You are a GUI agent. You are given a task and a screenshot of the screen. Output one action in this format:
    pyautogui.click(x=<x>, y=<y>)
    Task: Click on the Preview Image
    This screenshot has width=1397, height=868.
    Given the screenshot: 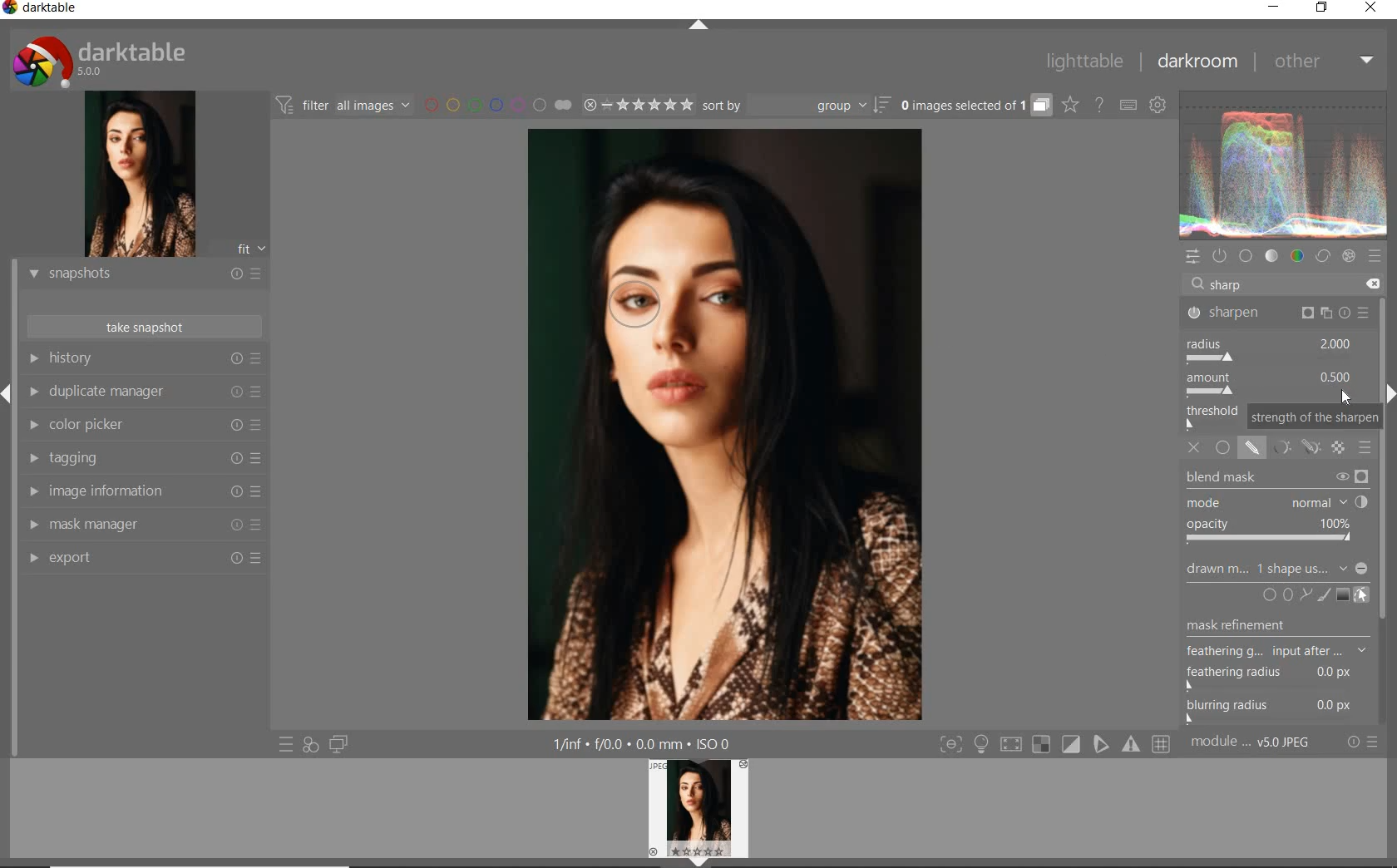 What is the action you would take?
    pyautogui.click(x=698, y=813)
    